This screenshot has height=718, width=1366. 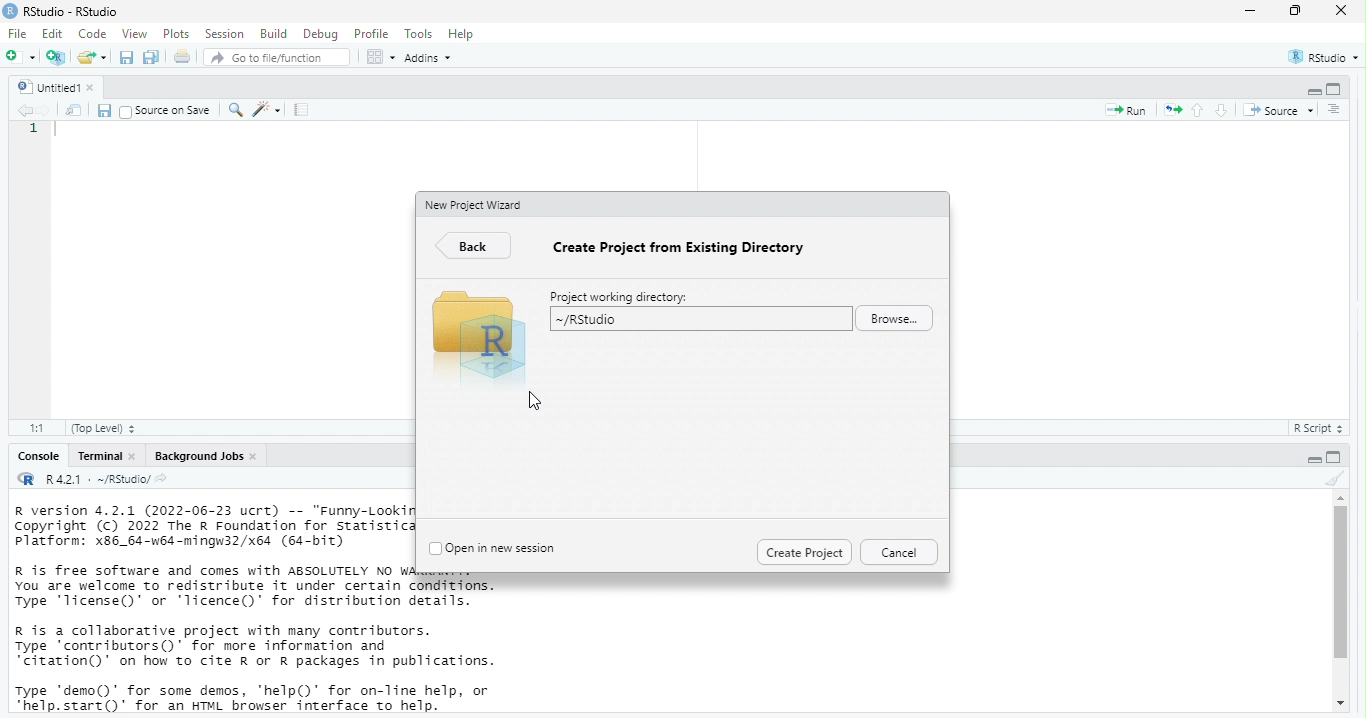 I want to click on description of version of R, so click(x=208, y=525).